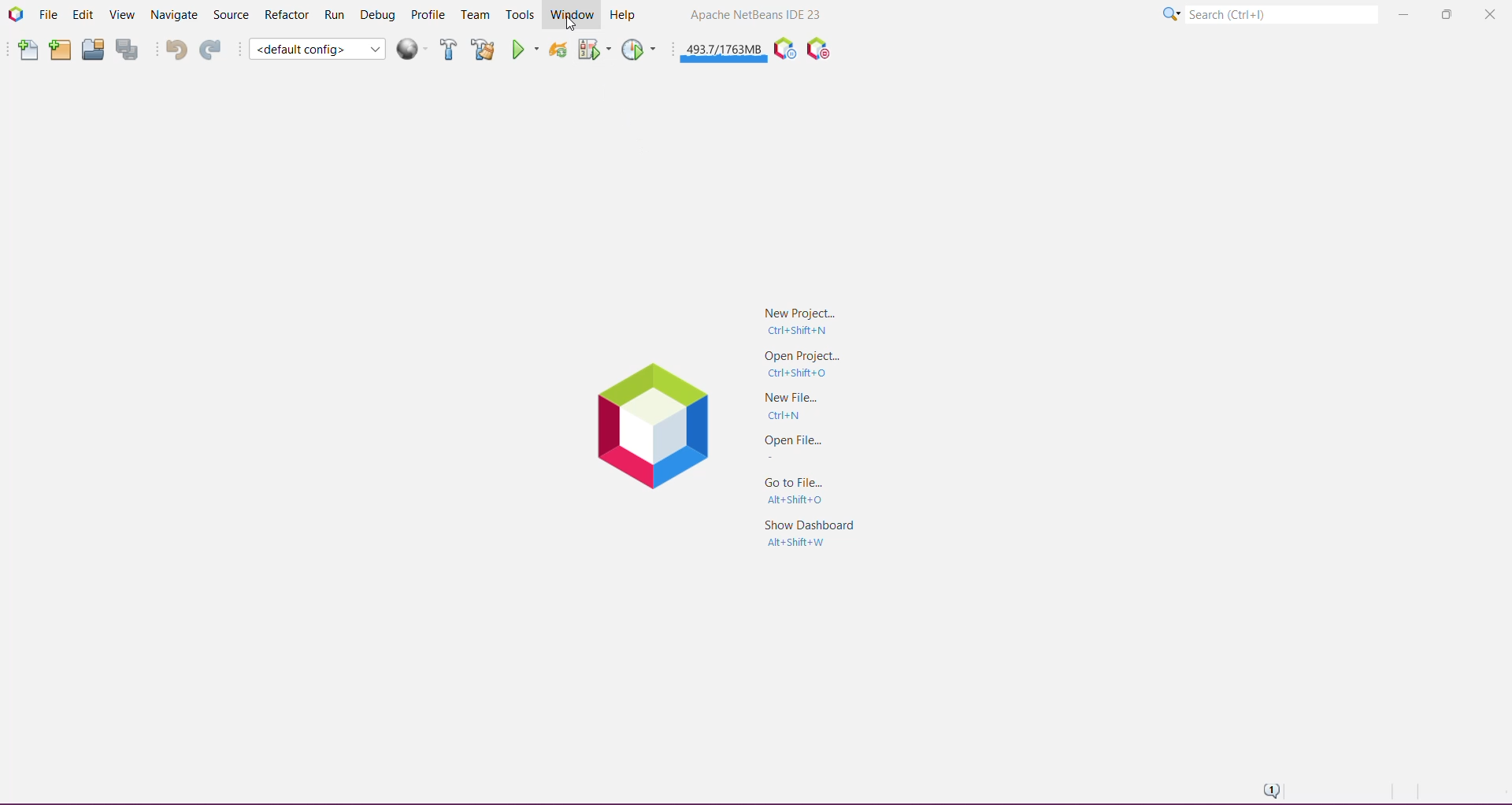  I want to click on File, so click(48, 14).